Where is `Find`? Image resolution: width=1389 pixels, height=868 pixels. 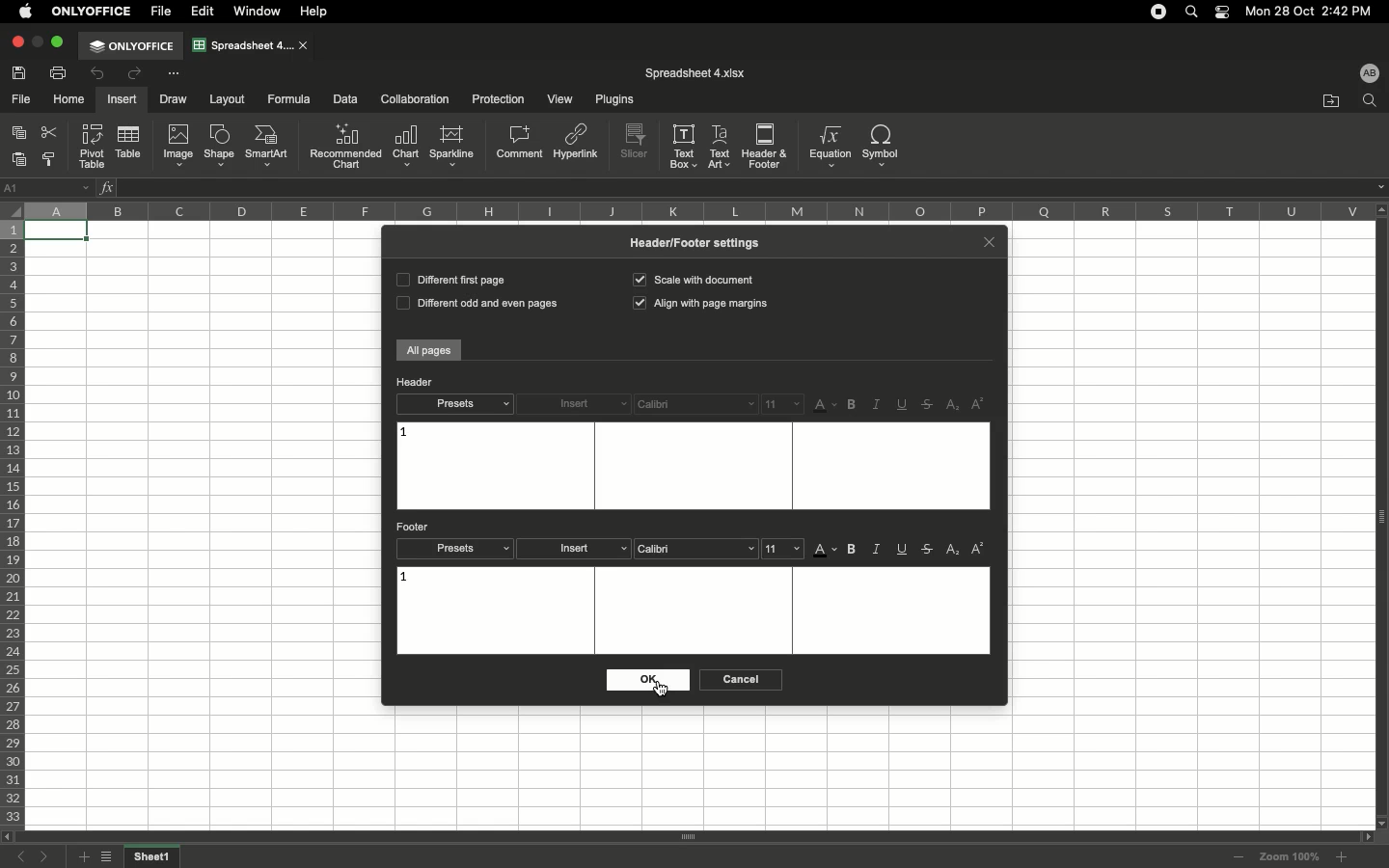 Find is located at coordinates (1369, 101).